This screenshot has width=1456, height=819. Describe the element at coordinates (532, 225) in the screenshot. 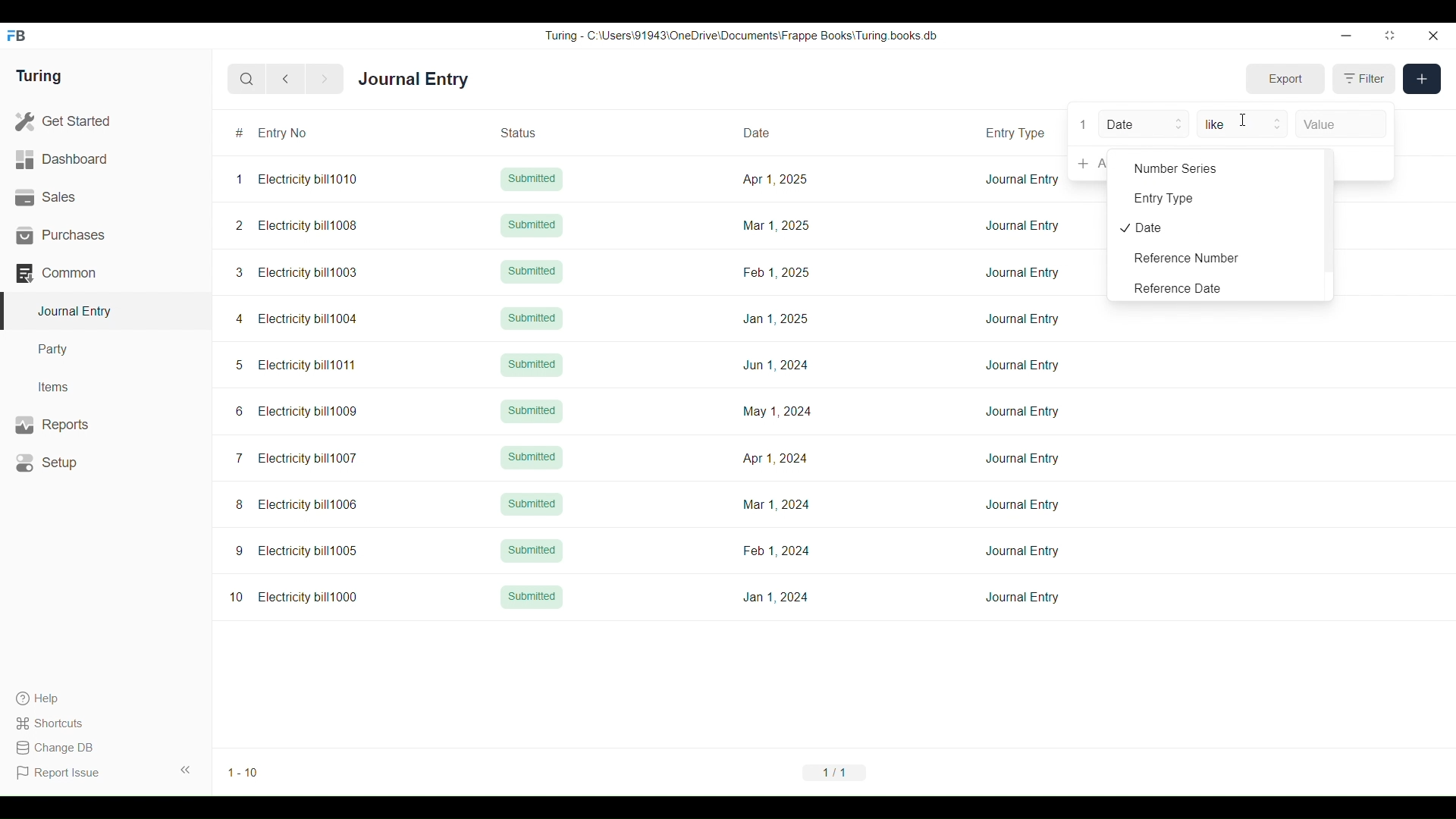

I see `Submitted` at that location.